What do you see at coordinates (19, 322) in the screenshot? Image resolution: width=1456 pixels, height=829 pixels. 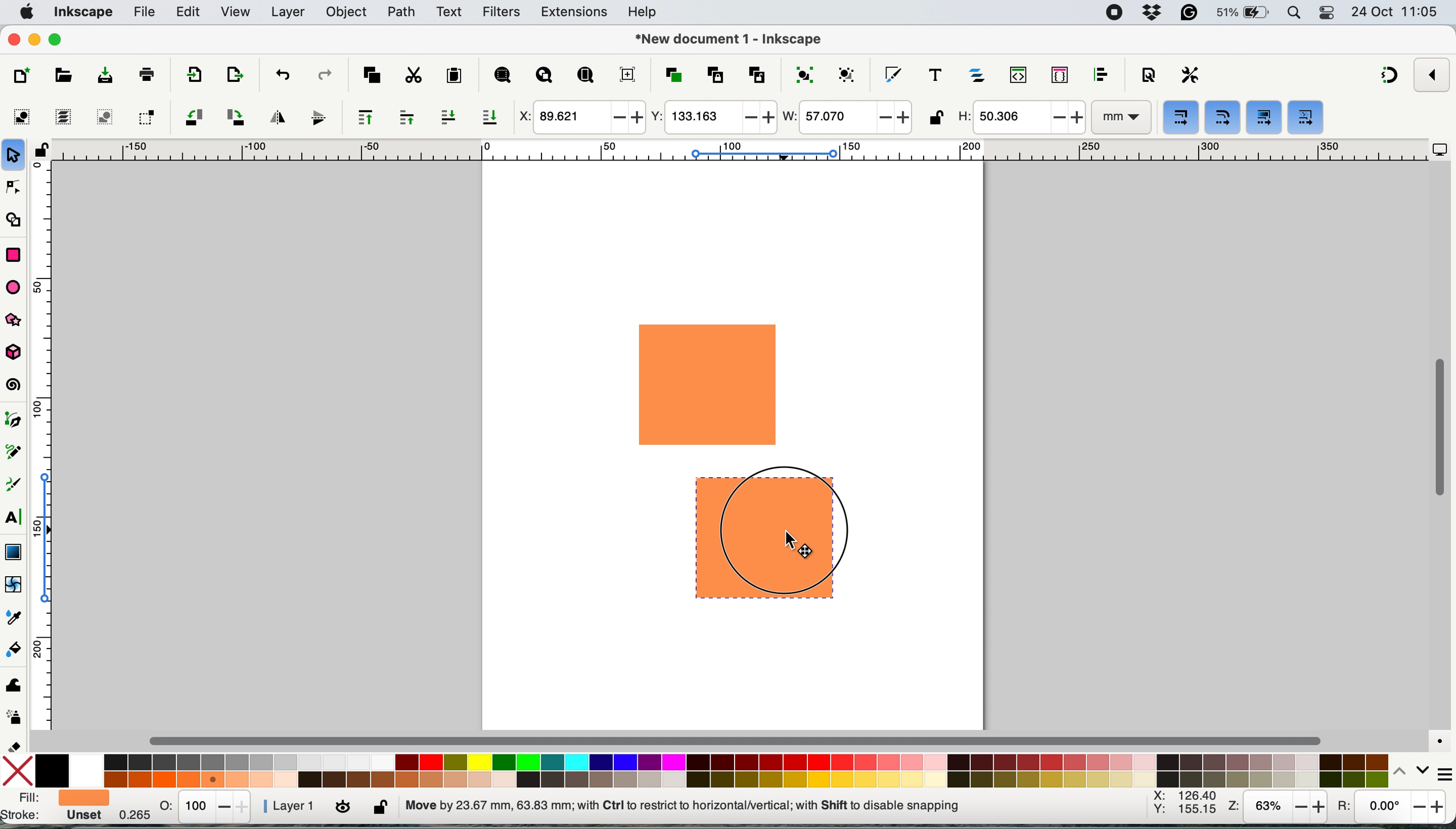 I see `star and polygon tool` at bounding box center [19, 322].